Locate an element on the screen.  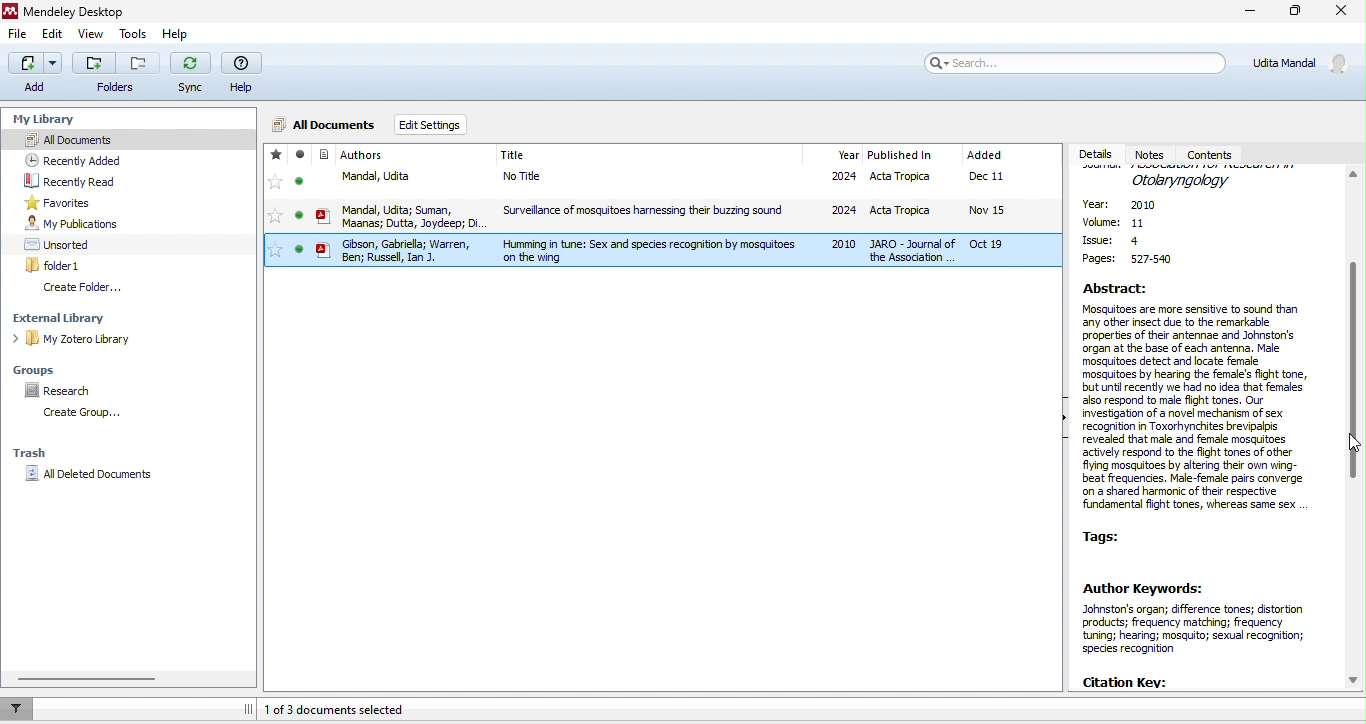
seen/unseen is located at coordinates (300, 186).